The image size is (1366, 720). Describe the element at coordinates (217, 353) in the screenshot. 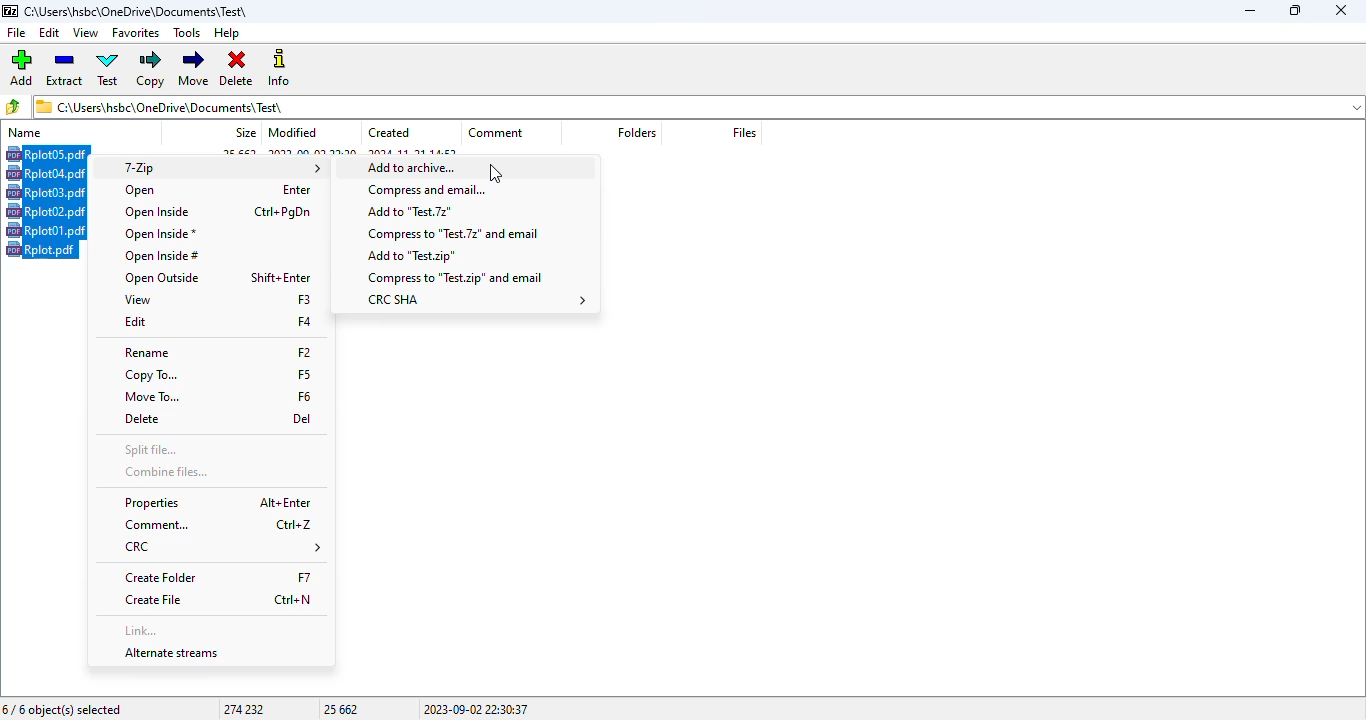

I see `rename` at that location.